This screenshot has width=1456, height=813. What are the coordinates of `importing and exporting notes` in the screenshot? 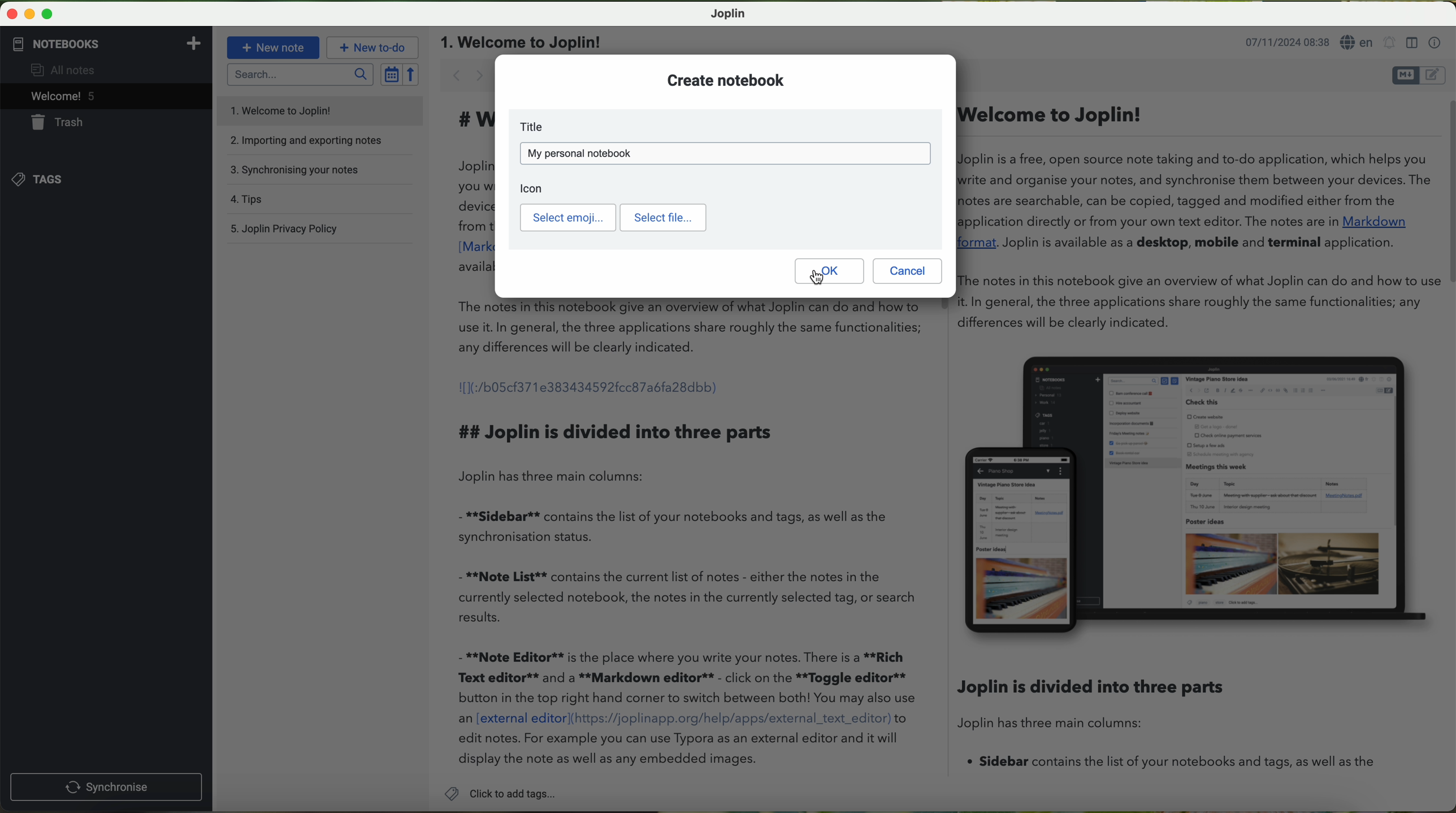 It's located at (315, 140).